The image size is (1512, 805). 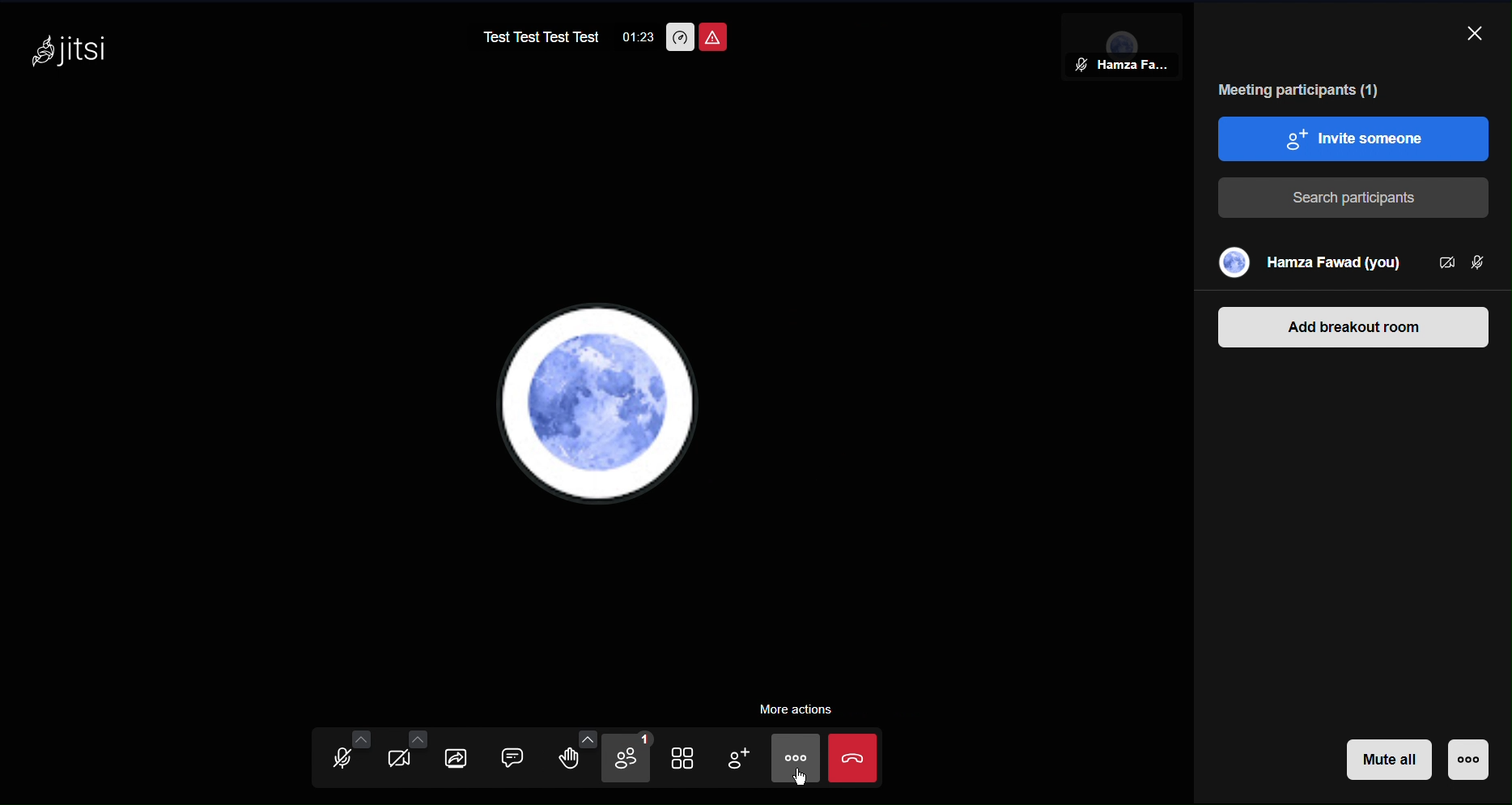 What do you see at coordinates (682, 36) in the screenshot?
I see `Performance Settings` at bounding box center [682, 36].